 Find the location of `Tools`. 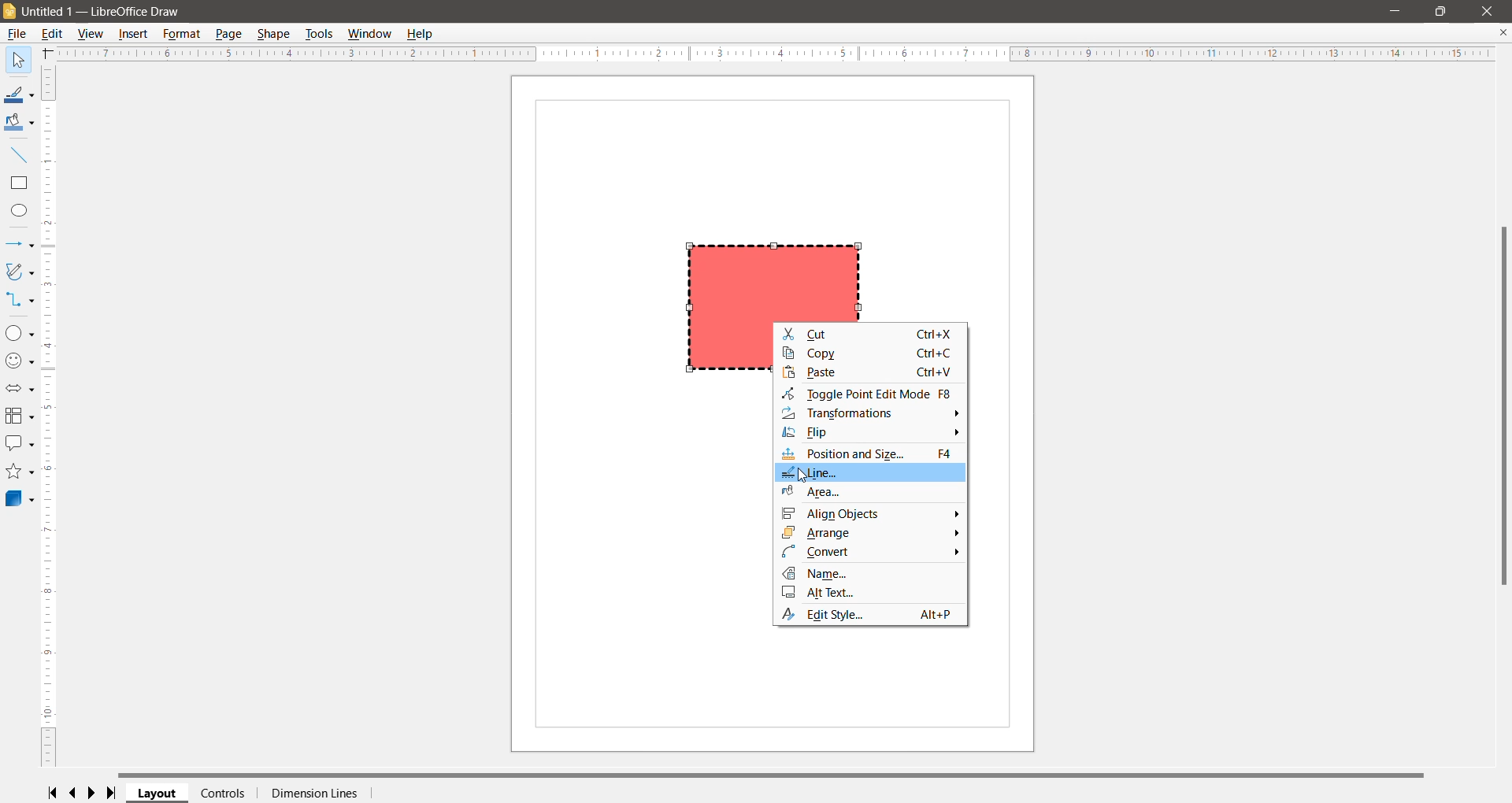

Tools is located at coordinates (319, 34).